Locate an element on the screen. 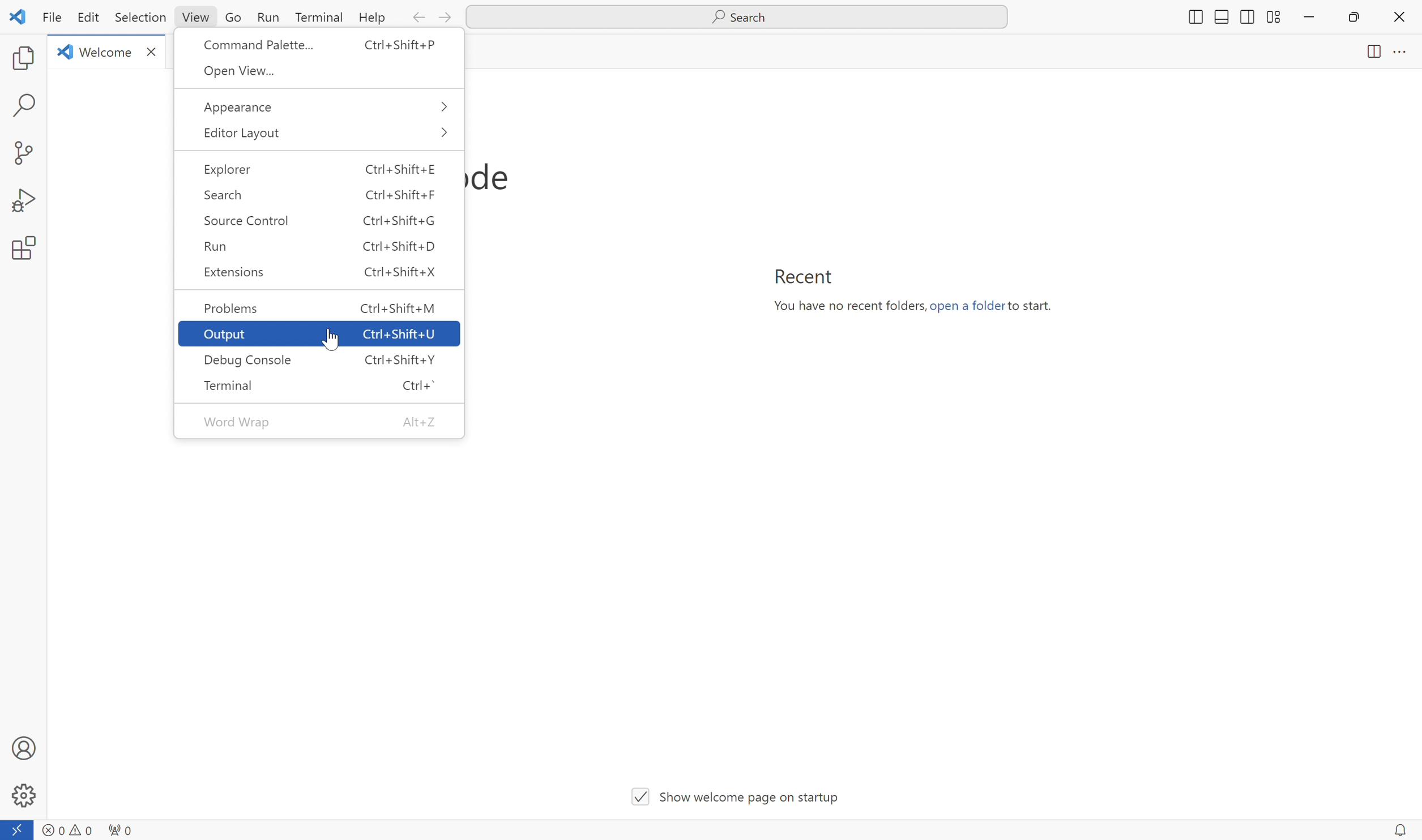 The height and width of the screenshot is (840, 1422). open view is located at coordinates (320, 70).